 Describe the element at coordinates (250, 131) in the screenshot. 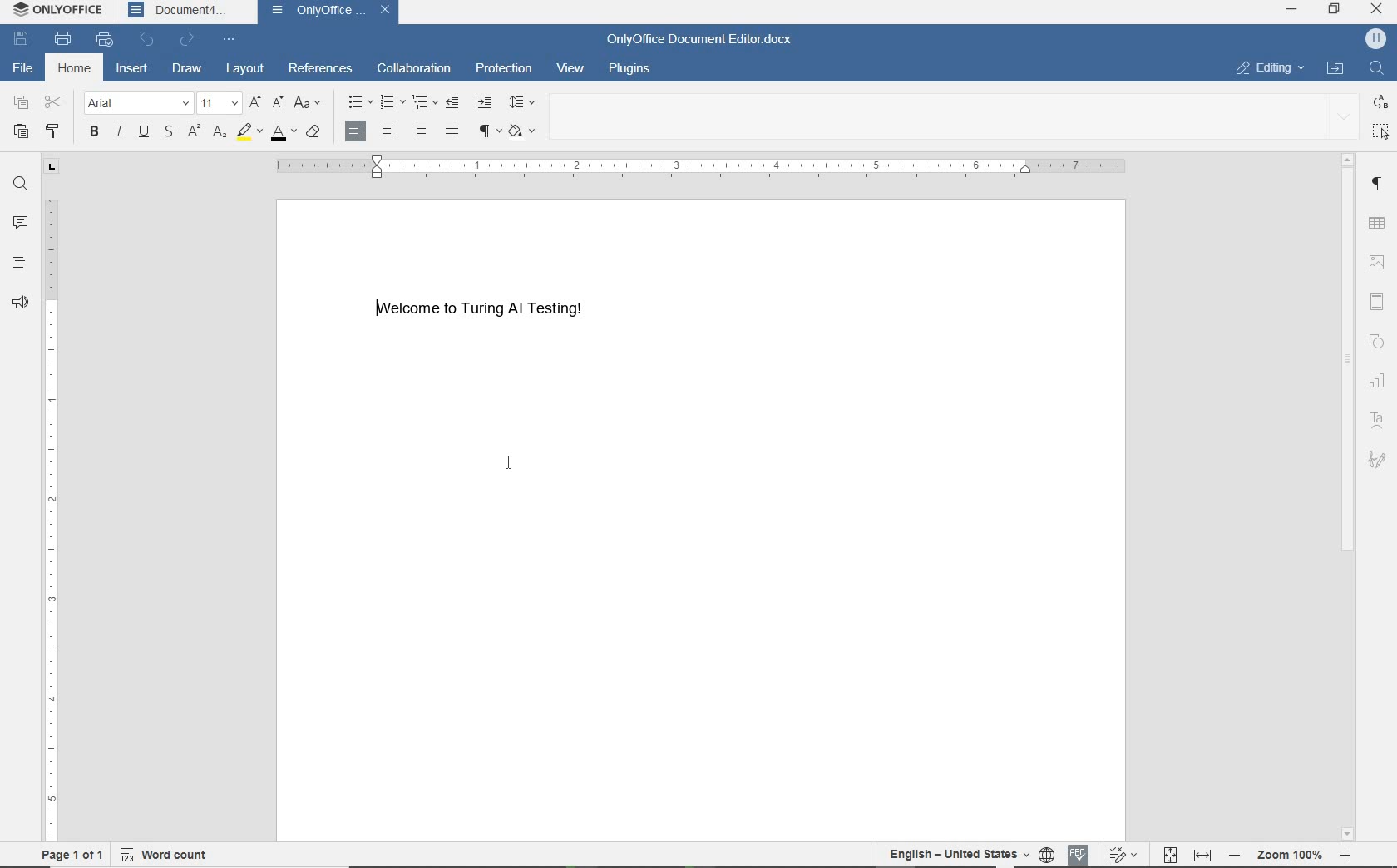

I see `highlight color` at that location.